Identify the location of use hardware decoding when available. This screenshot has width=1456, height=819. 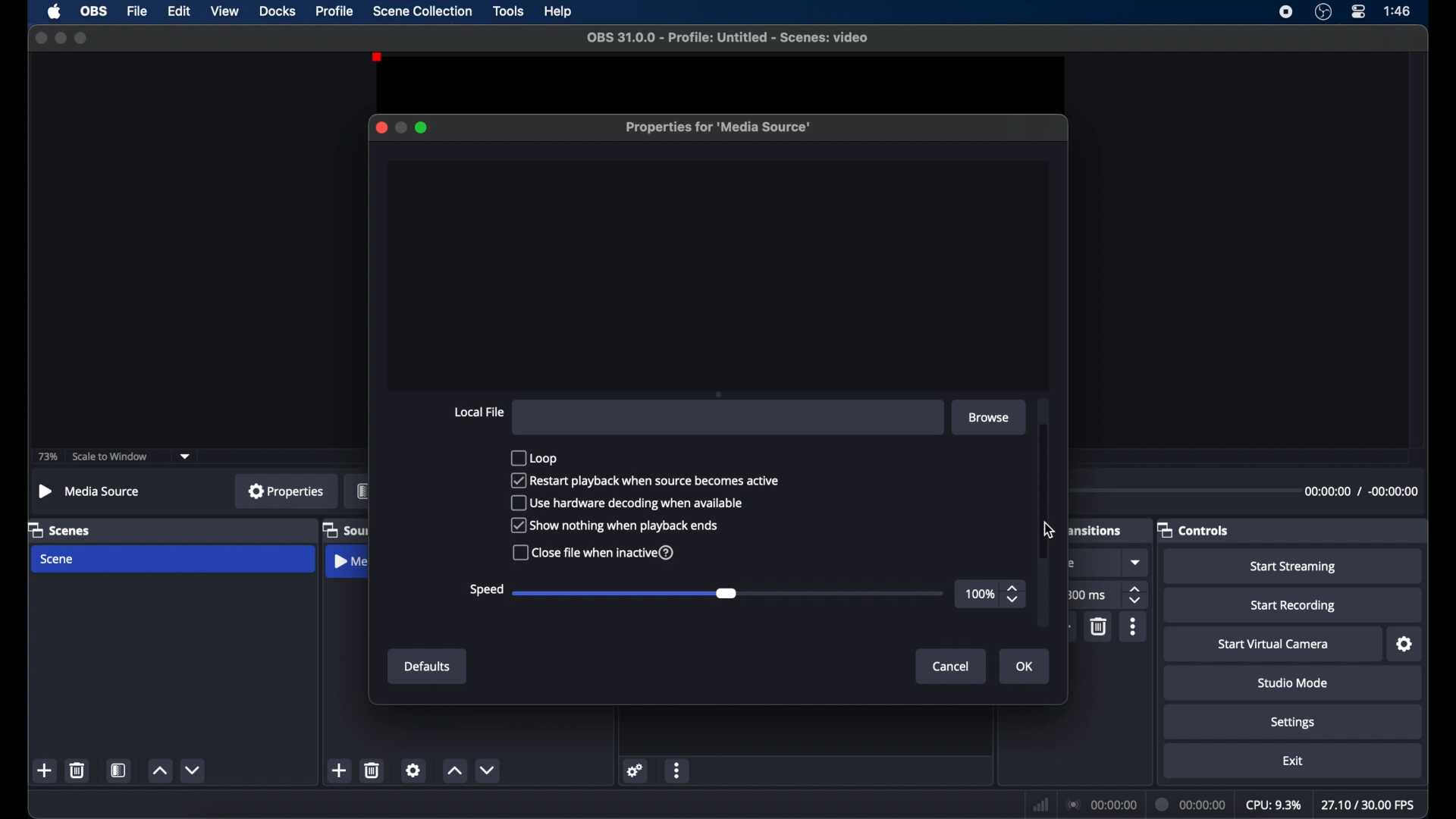
(629, 503).